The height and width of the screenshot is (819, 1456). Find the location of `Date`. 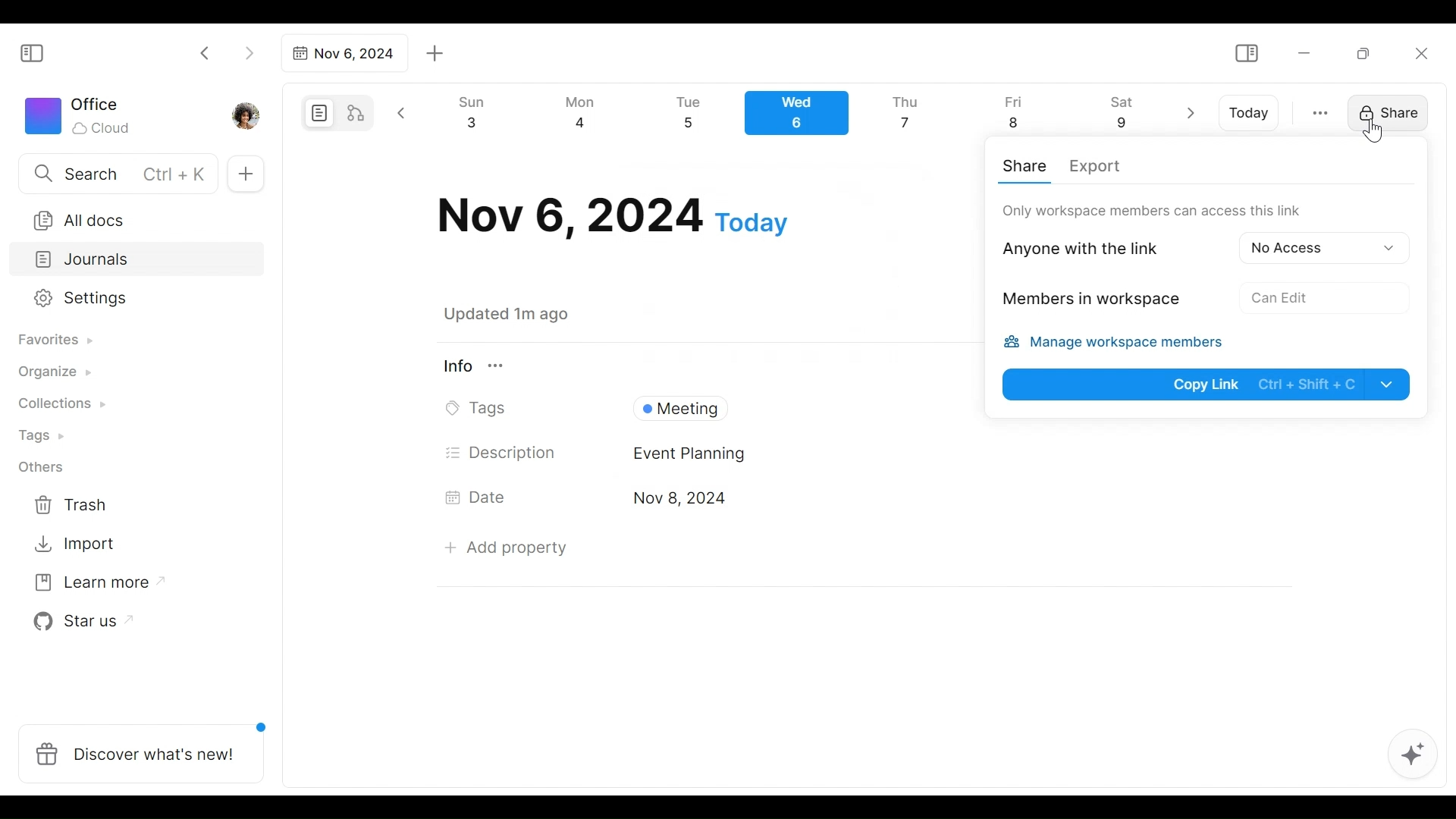

Date is located at coordinates (481, 497).